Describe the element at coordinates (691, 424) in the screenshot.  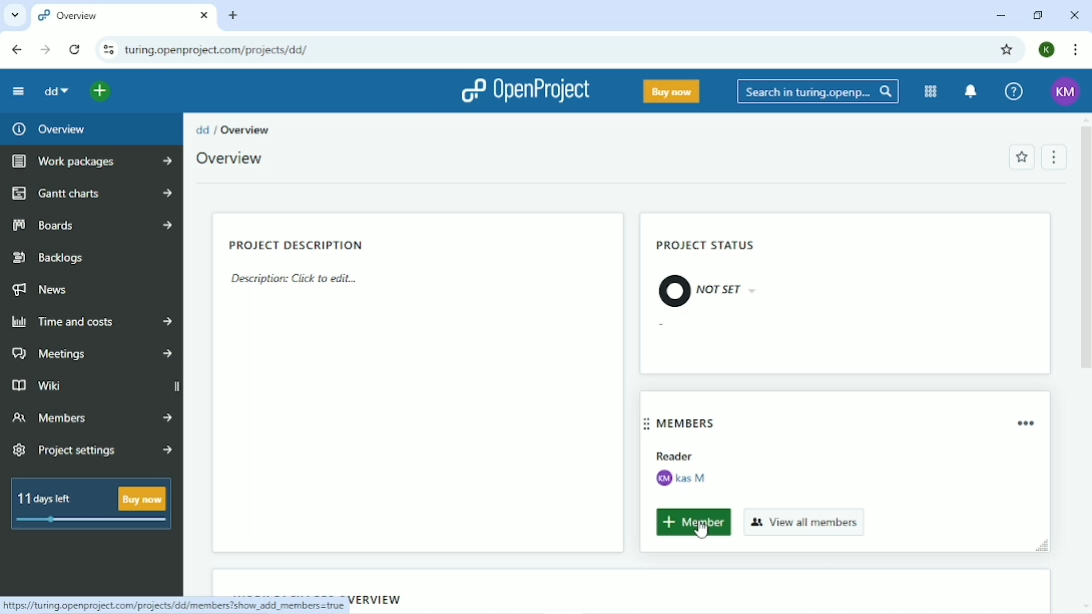
I see `Members` at that location.